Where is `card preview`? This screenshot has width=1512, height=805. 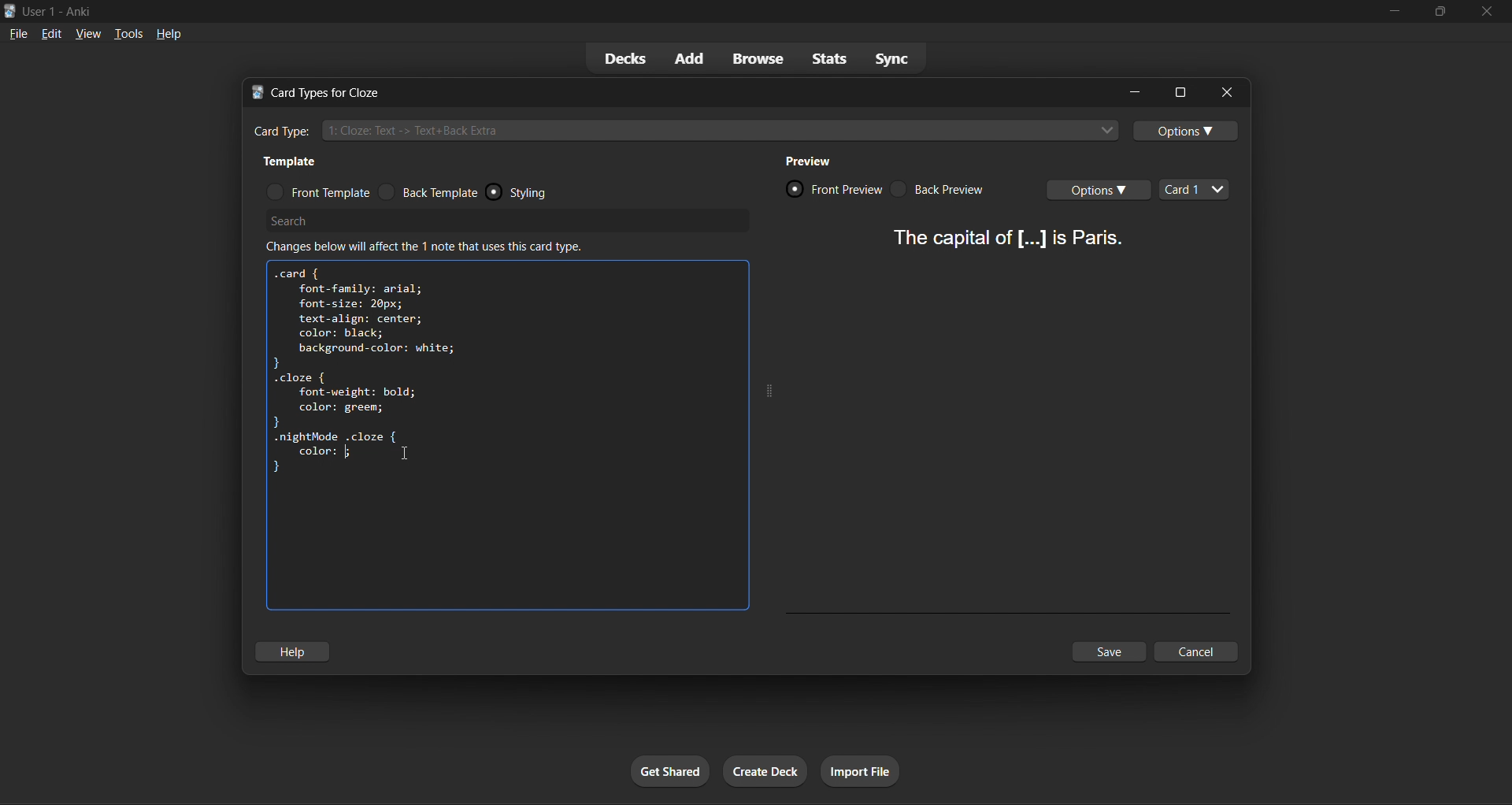
card preview is located at coordinates (1006, 246).